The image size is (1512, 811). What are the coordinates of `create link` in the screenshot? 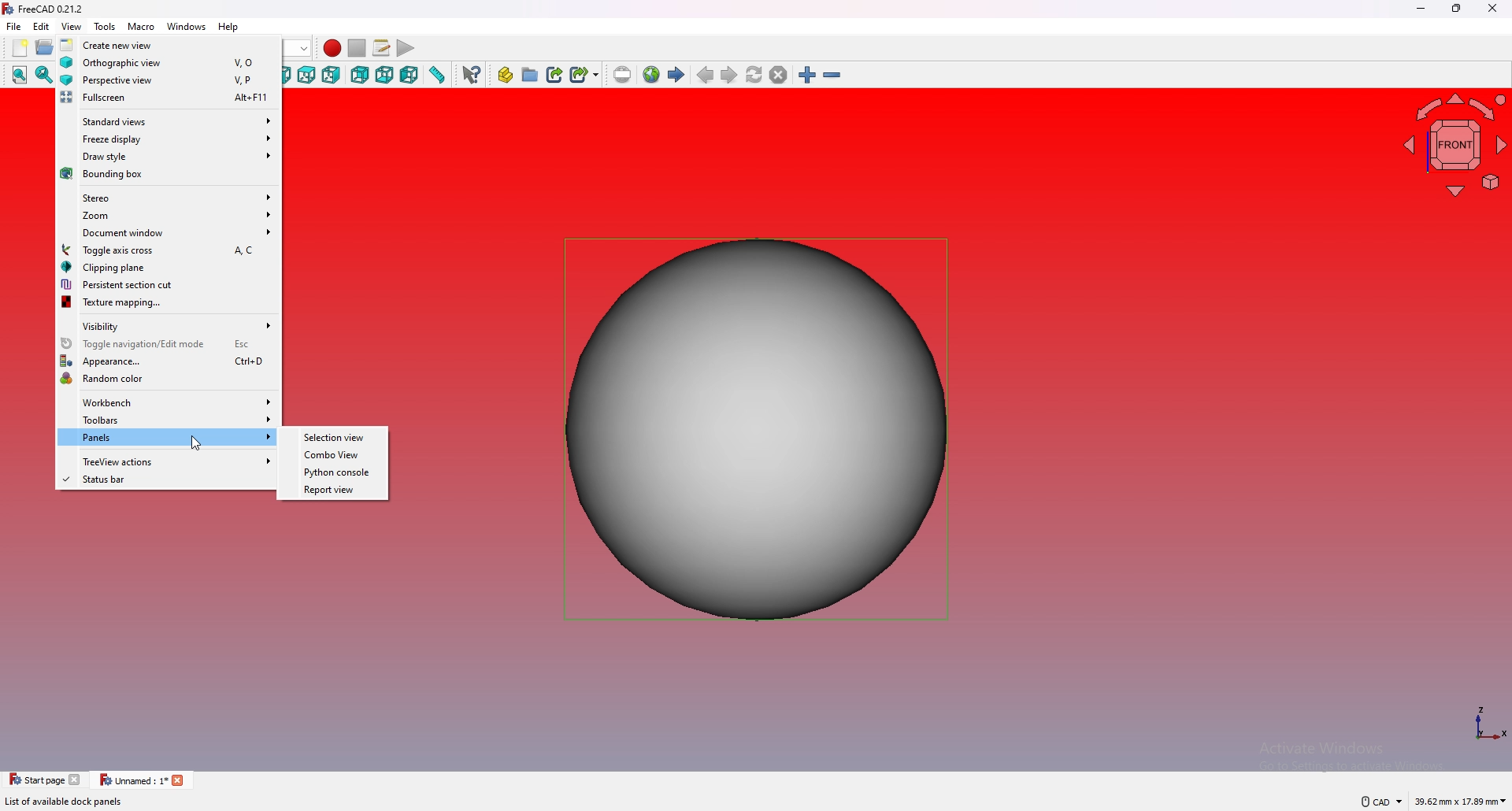 It's located at (554, 75).